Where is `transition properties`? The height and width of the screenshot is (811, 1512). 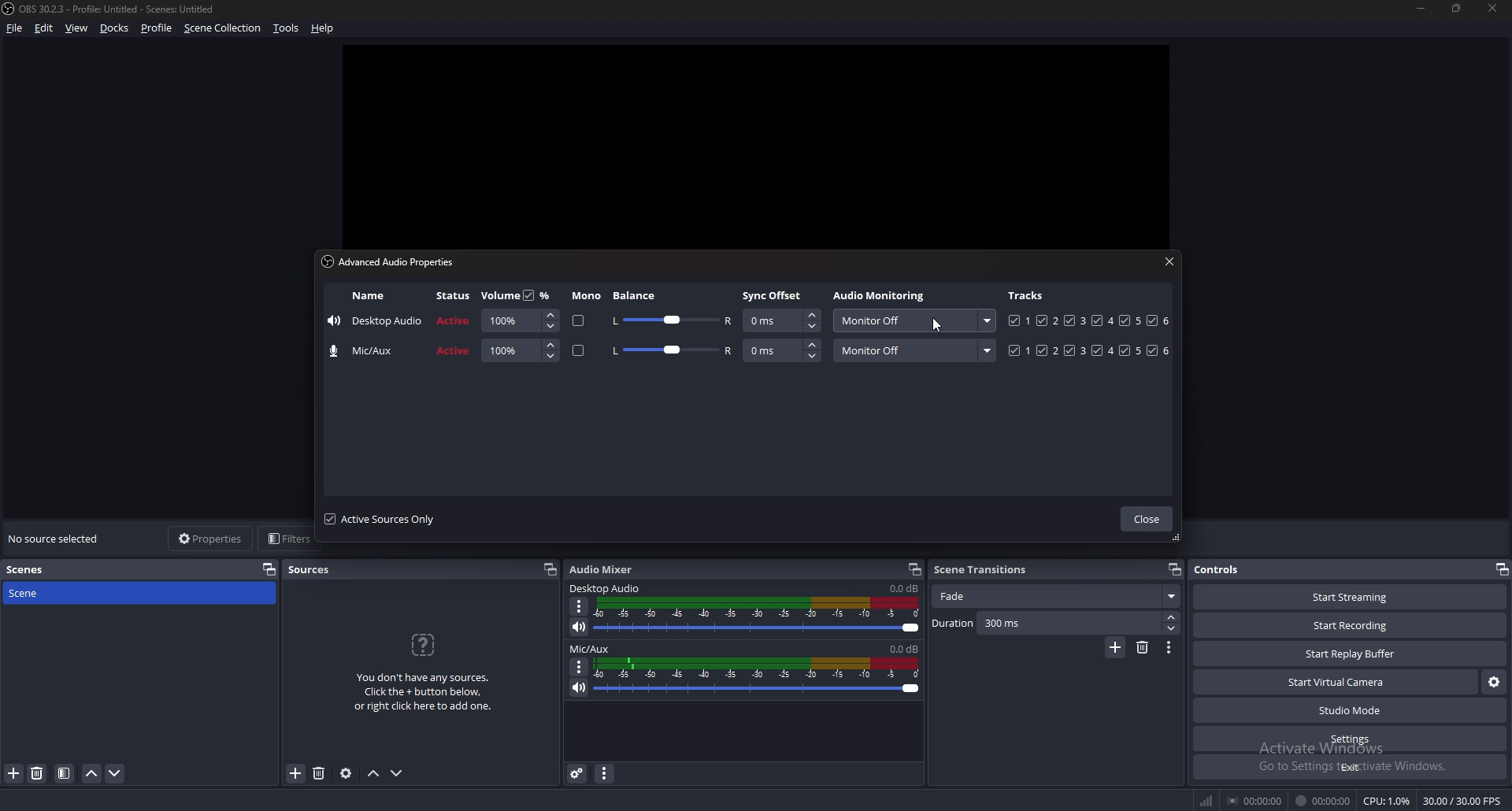
transition properties is located at coordinates (1169, 649).